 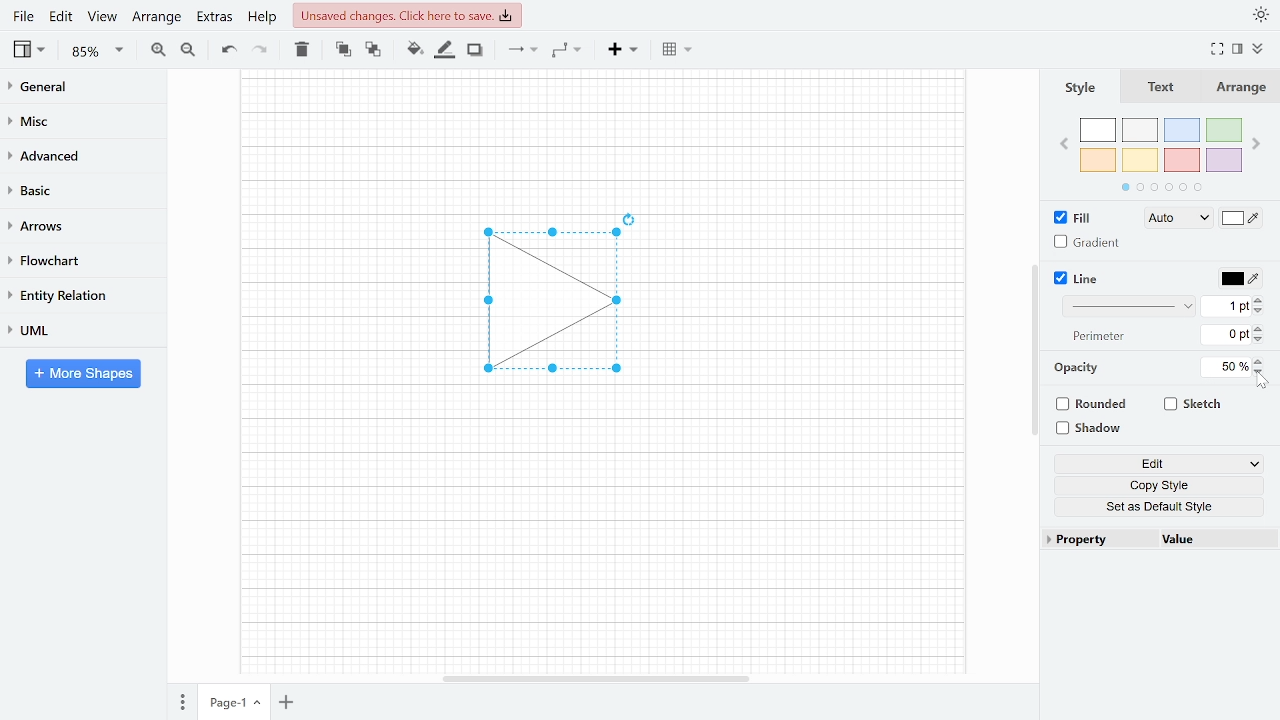 I want to click on Arrange, so click(x=1239, y=87).